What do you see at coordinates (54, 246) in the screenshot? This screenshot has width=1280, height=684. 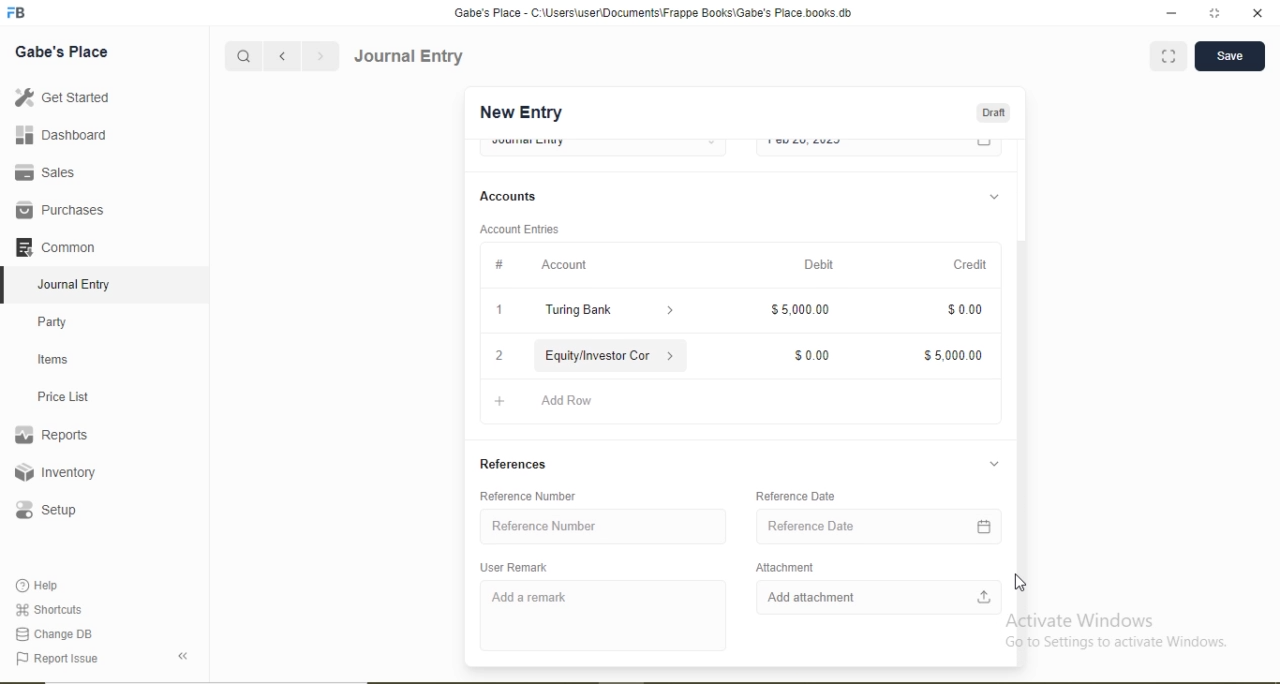 I see `Common` at bounding box center [54, 246].